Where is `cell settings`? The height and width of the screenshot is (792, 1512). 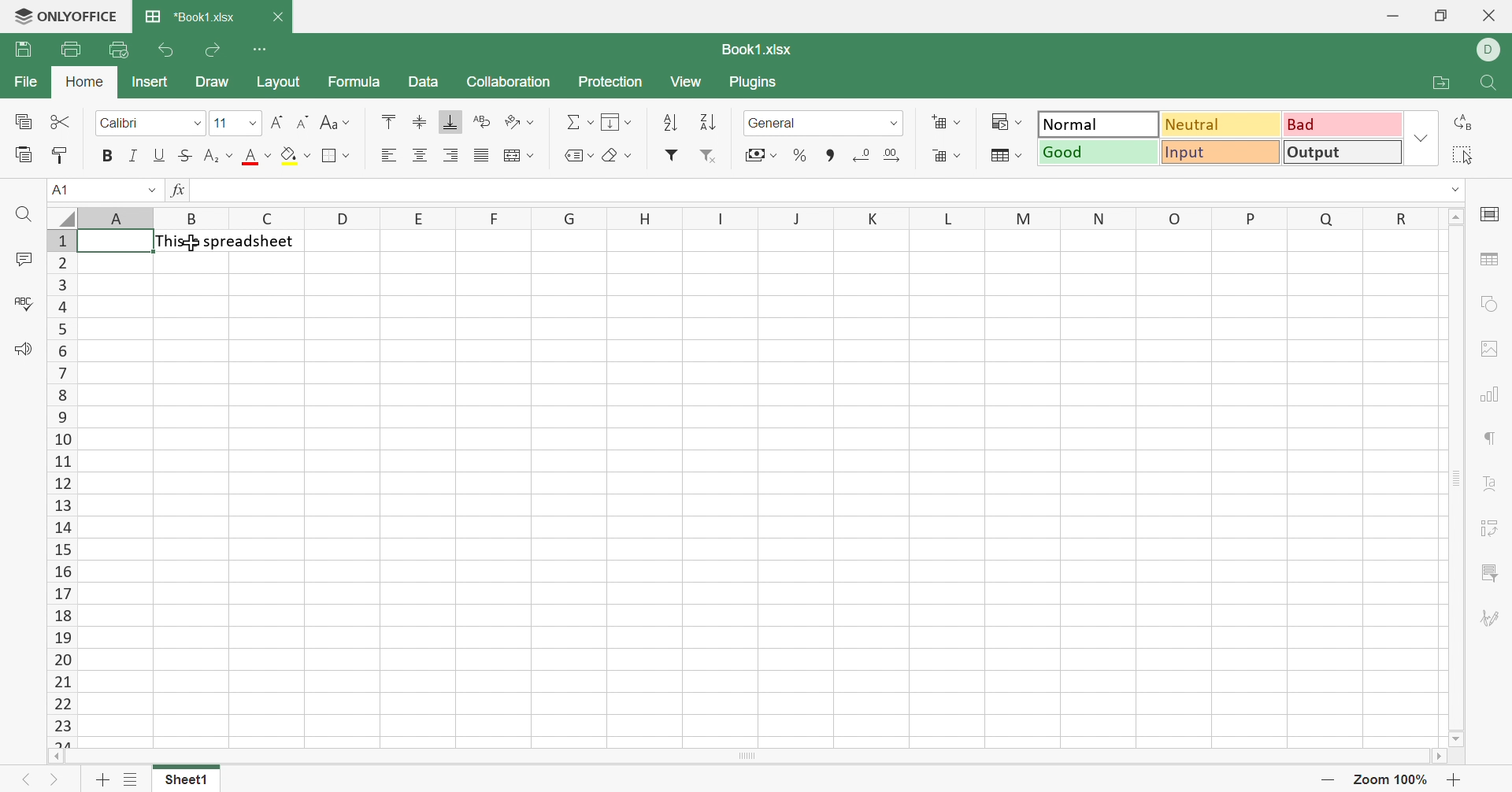 cell settings is located at coordinates (1492, 214).